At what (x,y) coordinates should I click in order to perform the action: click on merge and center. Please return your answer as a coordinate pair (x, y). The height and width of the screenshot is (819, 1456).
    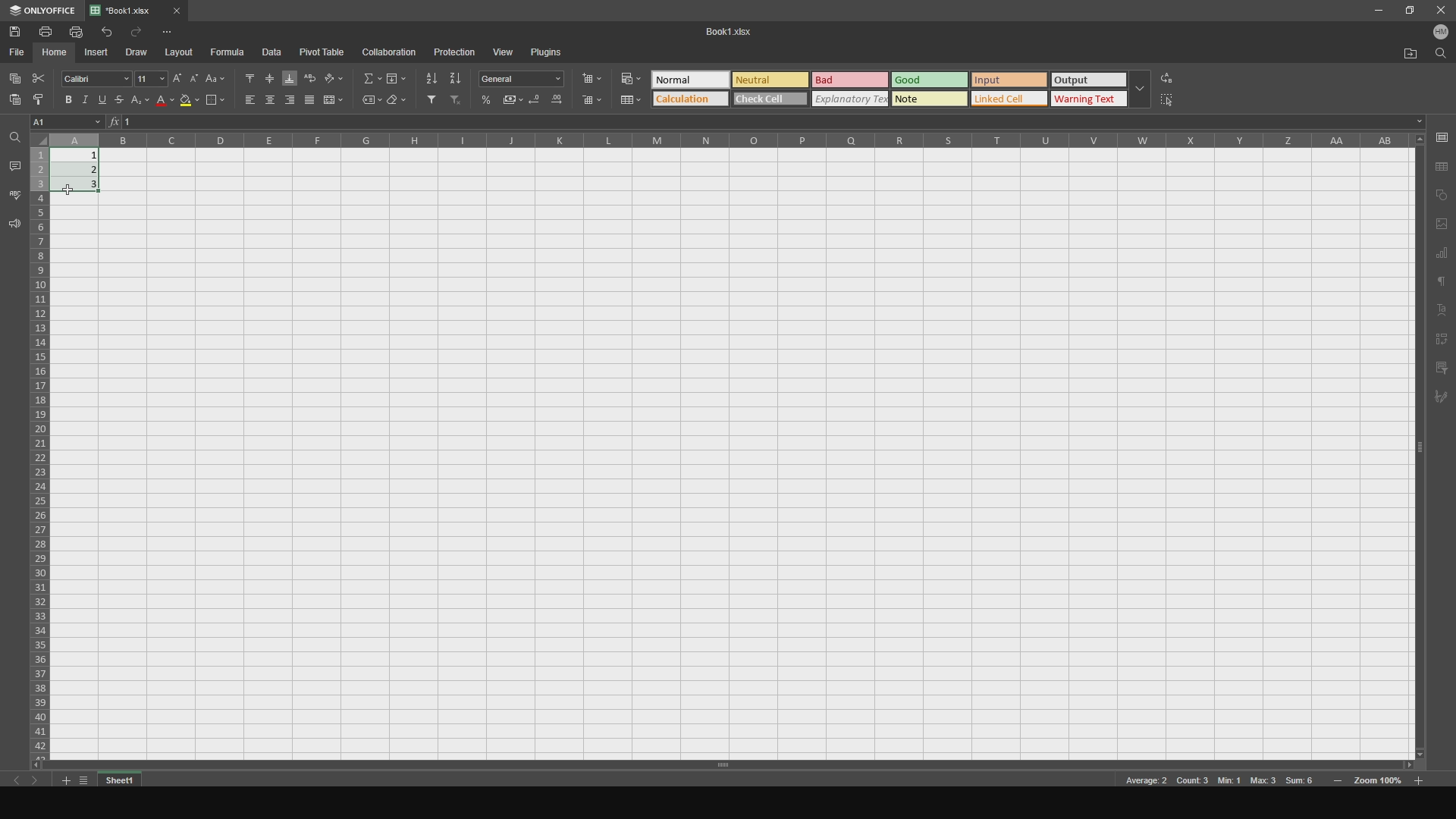
    Looking at the image, I should click on (336, 101).